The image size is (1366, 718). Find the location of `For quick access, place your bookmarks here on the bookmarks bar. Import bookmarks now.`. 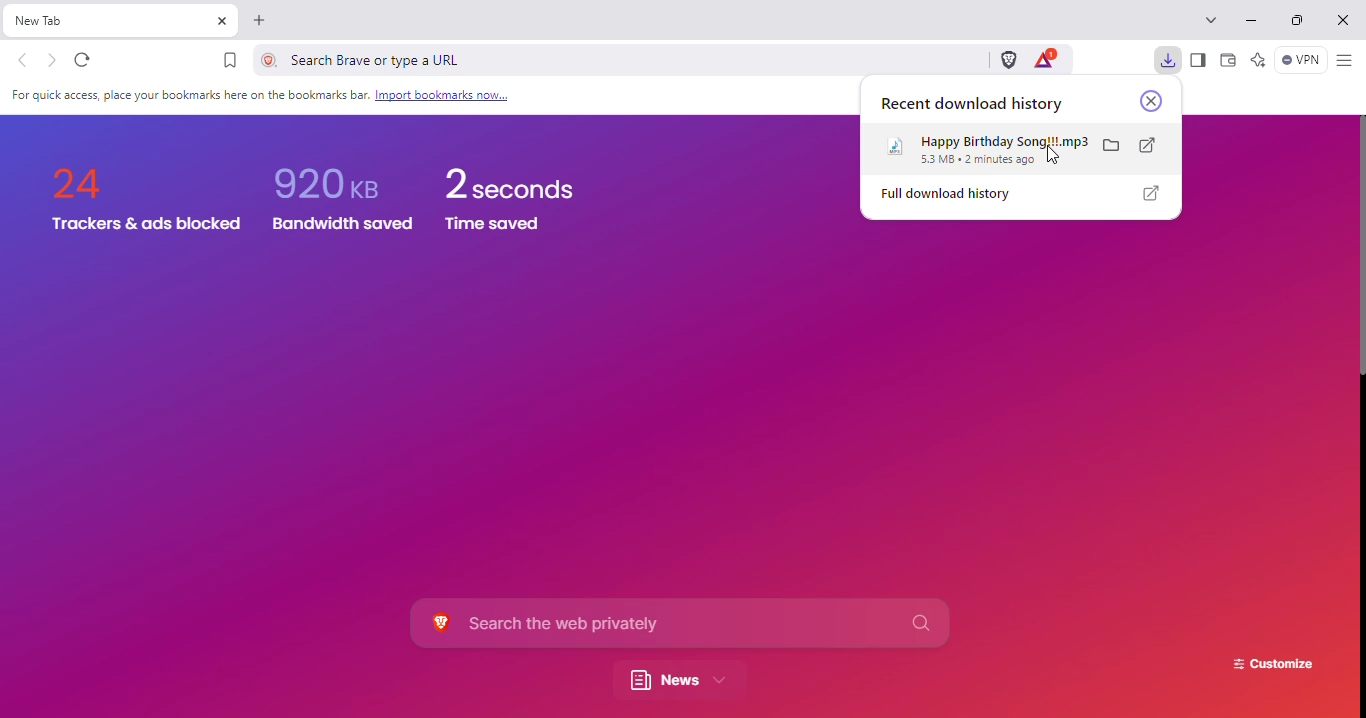

For quick access, place your bookmarks here on the bookmarks bar. Import bookmarks now. is located at coordinates (187, 96).